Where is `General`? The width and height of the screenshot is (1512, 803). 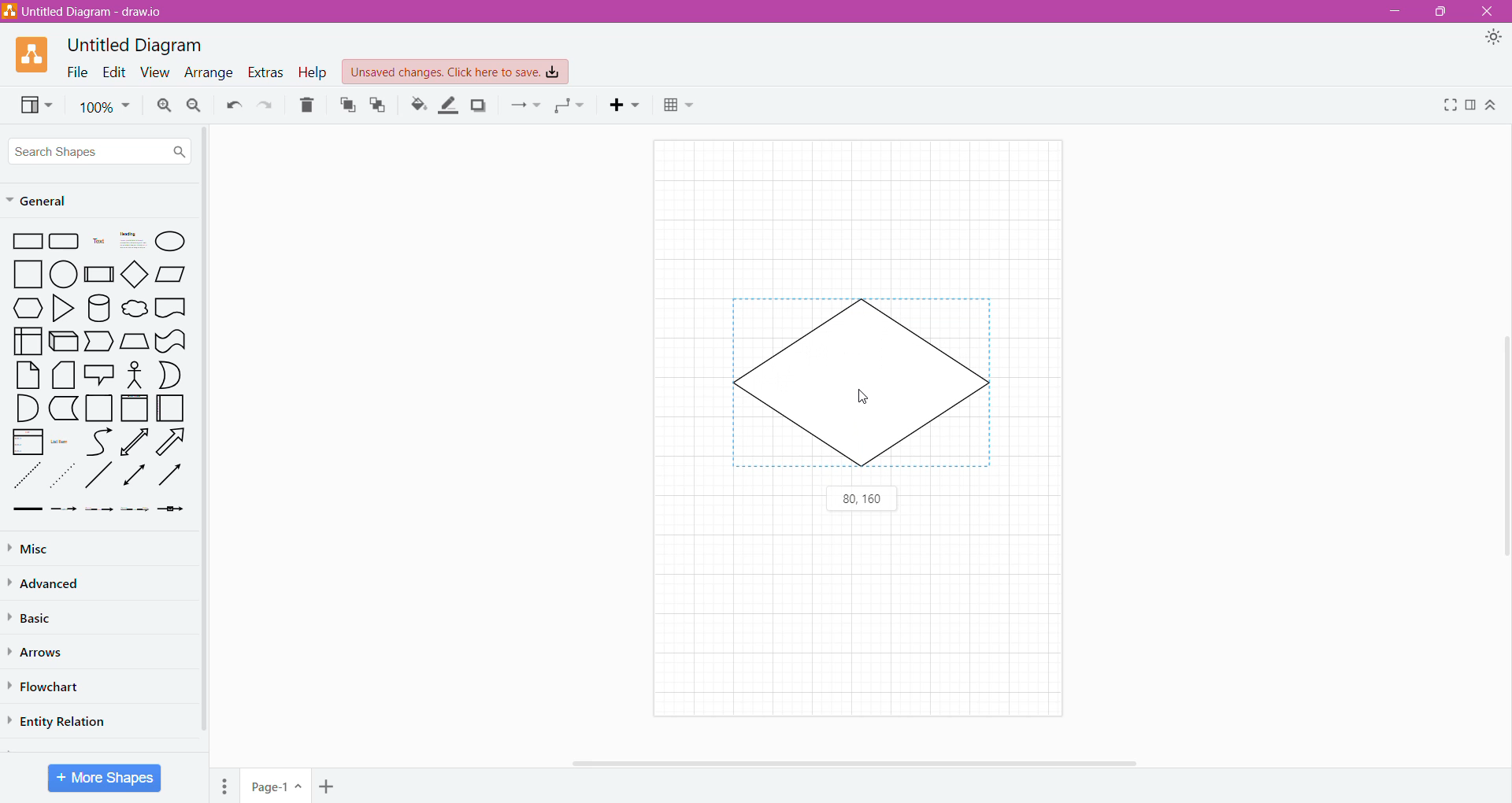
General is located at coordinates (46, 202).